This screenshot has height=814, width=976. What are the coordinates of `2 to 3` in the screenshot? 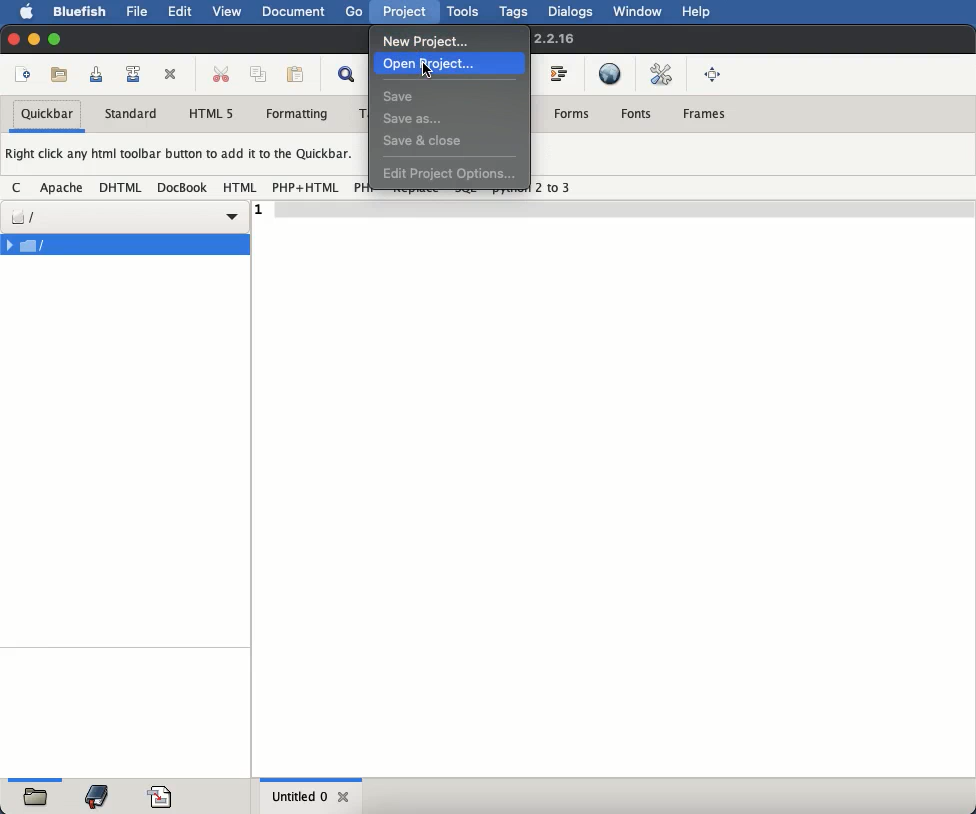 It's located at (554, 192).